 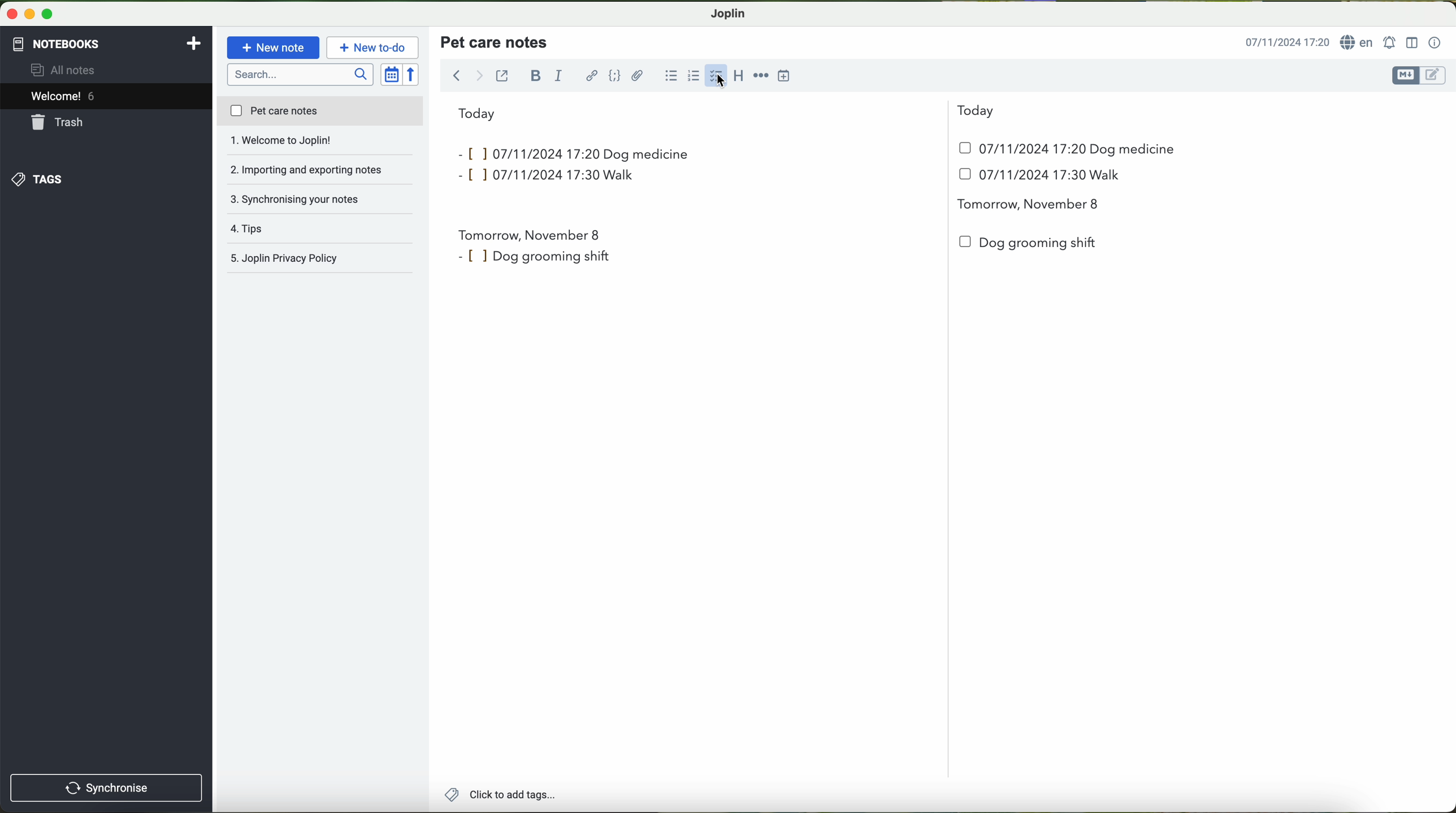 What do you see at coordinates (1030, 243) in the screenshot?
I see `dog grooming shift` at bounding box center [1030, 243].